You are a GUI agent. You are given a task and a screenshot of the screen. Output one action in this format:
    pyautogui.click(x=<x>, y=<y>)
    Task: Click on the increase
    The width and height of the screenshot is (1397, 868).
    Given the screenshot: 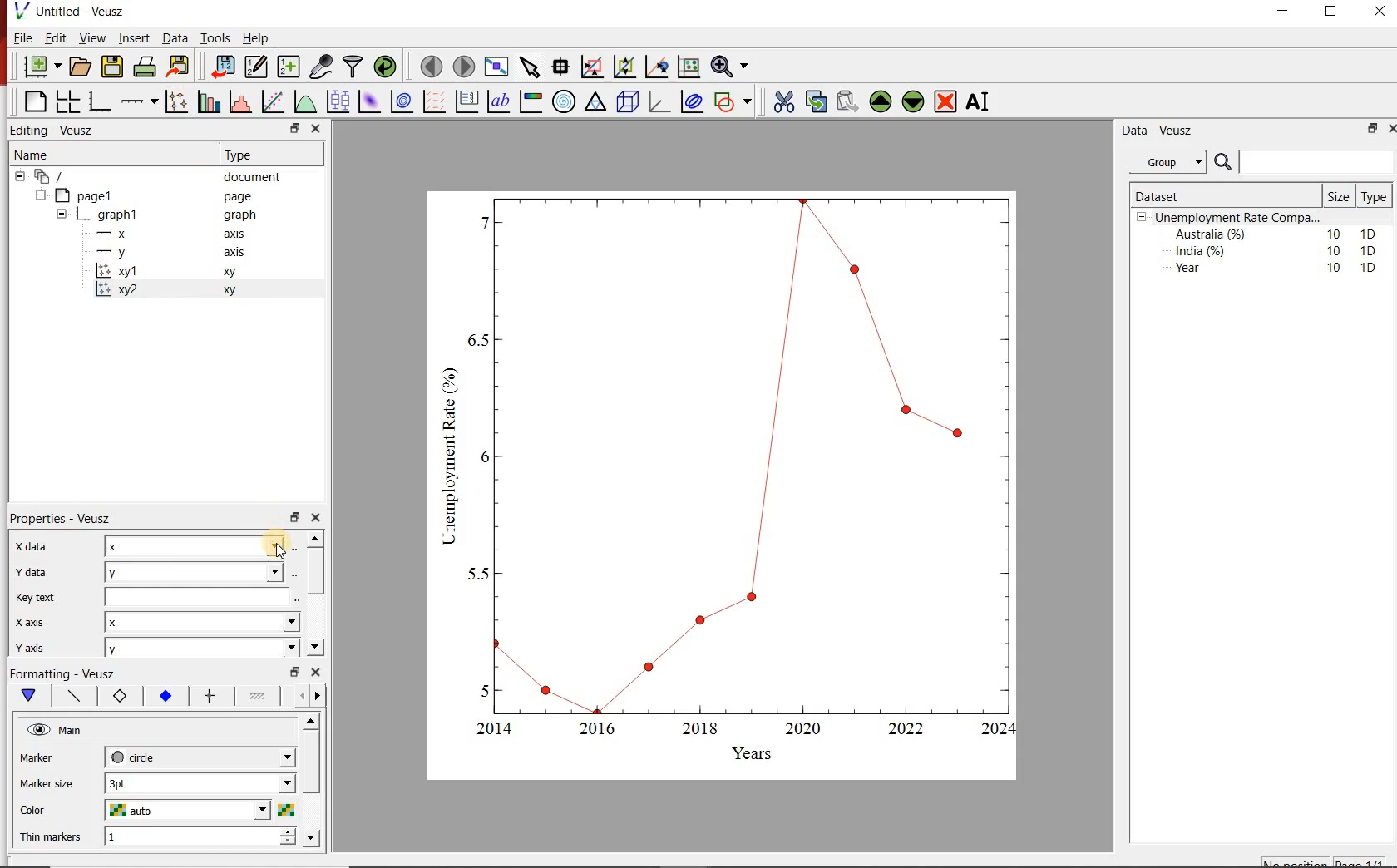 What is the action you would take?
    pyautogui.click(x=290, y=831)
    